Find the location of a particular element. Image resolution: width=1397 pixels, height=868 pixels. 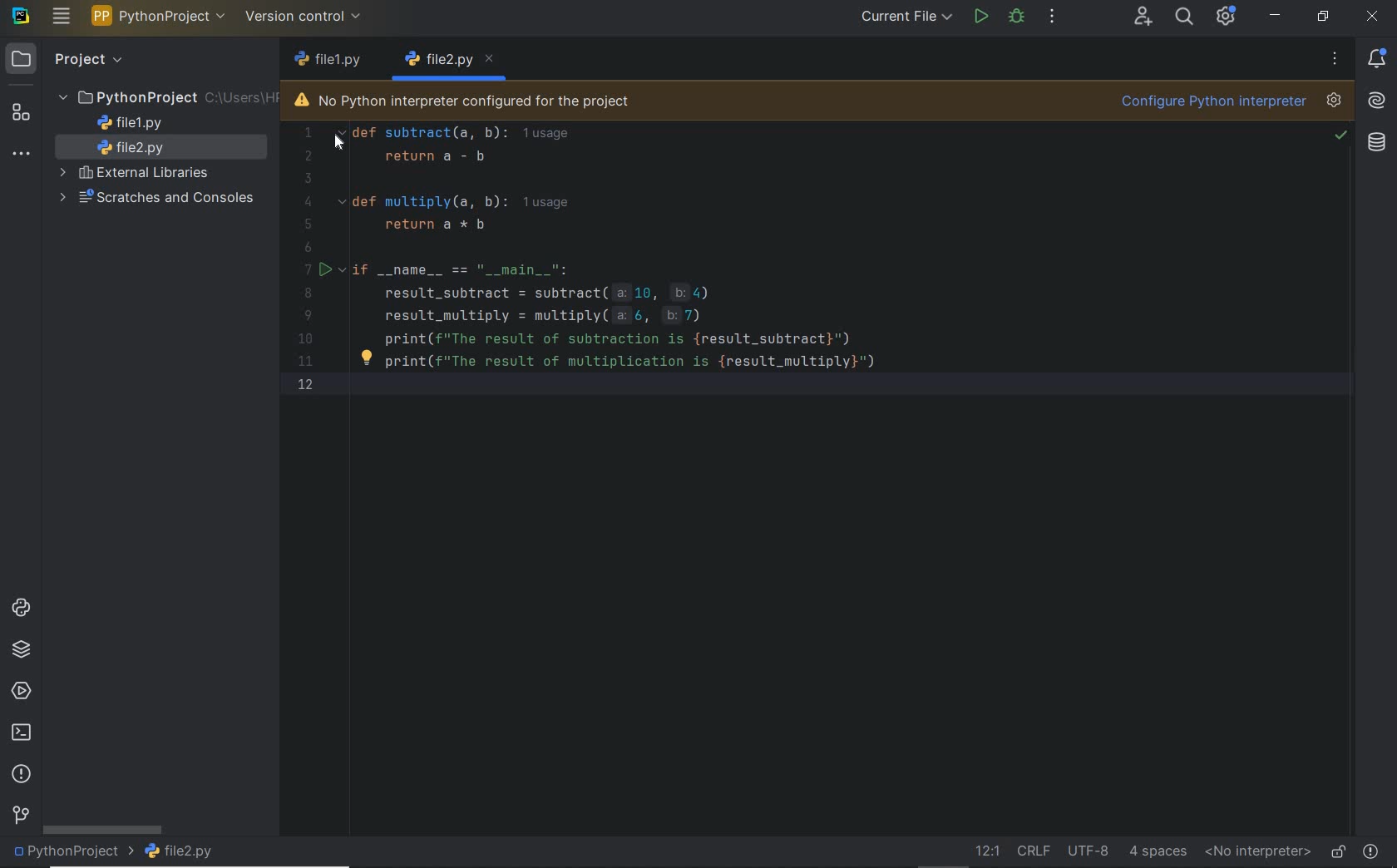

close is located at coordinates (1371, 16).